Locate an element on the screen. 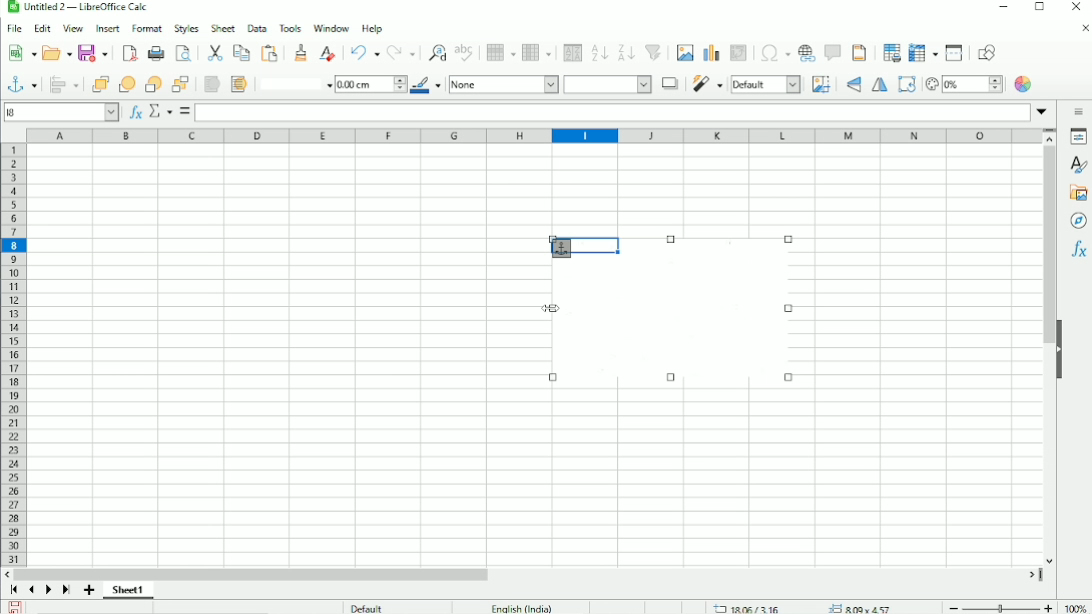 This screenshot has width=1092, height=614. Headers and footers is located at coordinates (859, 53).